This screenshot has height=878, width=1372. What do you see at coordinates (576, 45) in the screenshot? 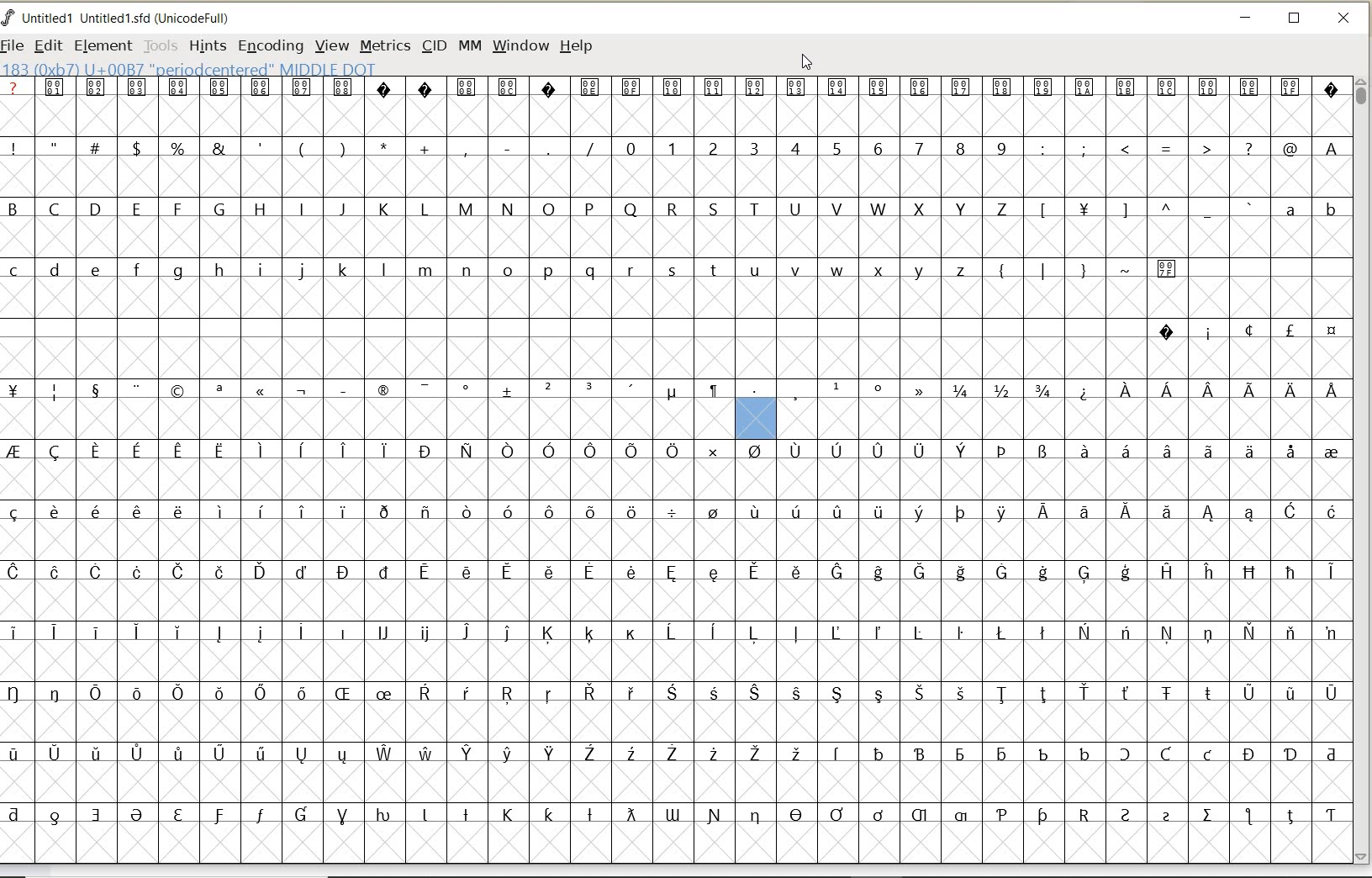
I see `HELP` at bounding box center [576, 45].